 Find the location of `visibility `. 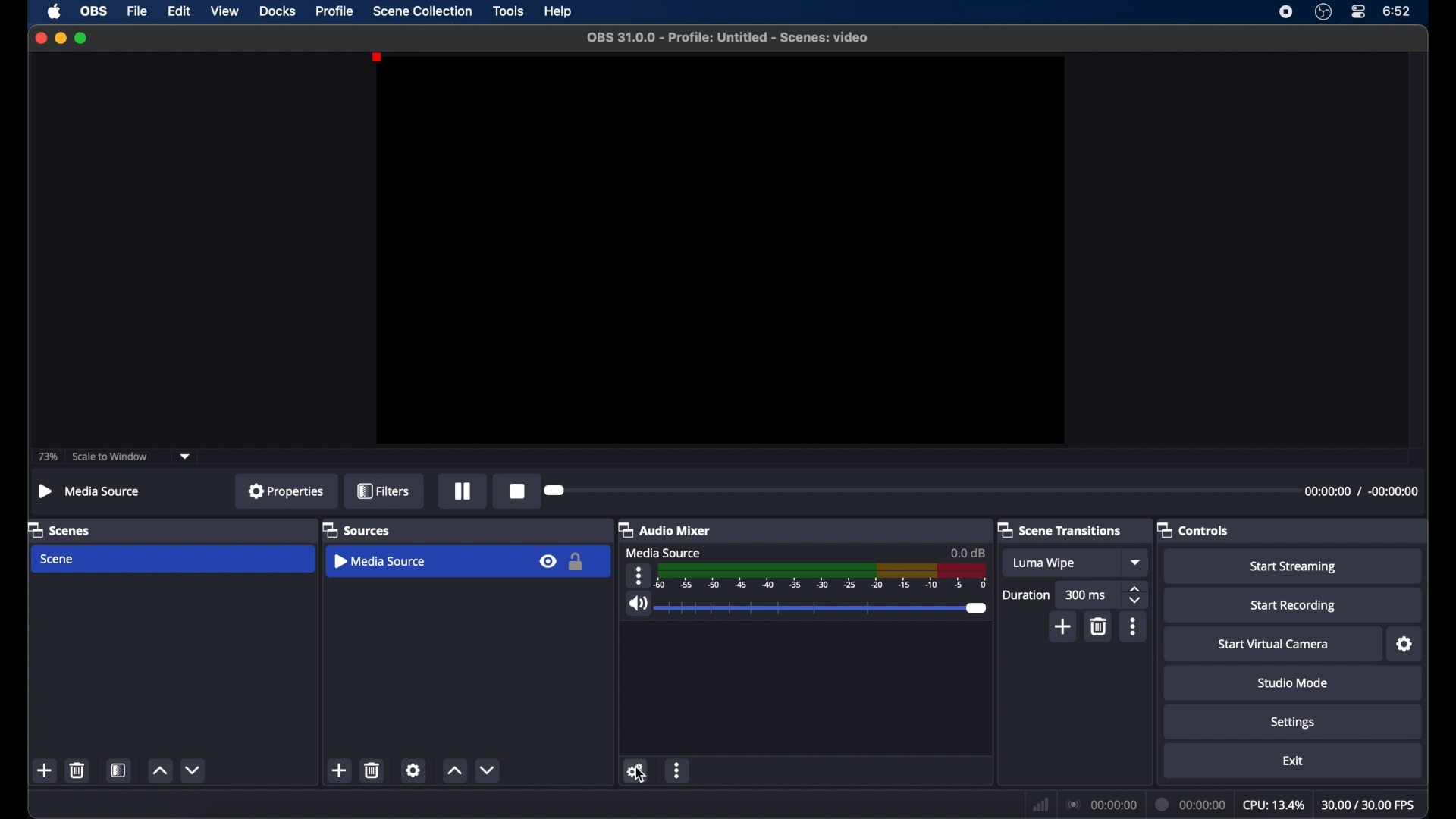

visibility  is located at coordinates (550, 562).